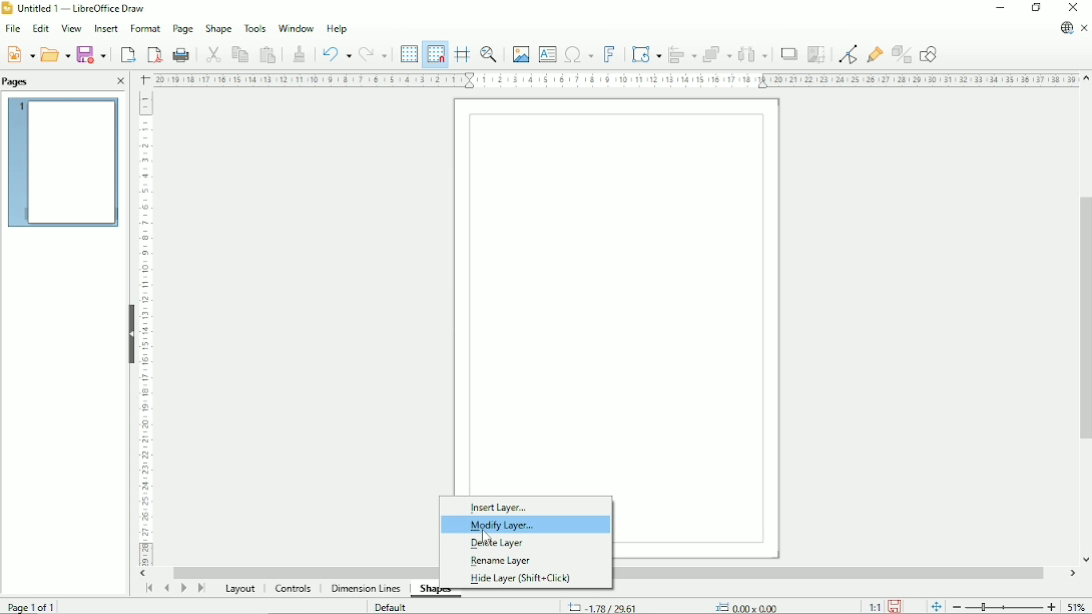  What do you see at coordinates (218, 30) in the screenshot?
I see `Shape` at bounding box center [218, 30].